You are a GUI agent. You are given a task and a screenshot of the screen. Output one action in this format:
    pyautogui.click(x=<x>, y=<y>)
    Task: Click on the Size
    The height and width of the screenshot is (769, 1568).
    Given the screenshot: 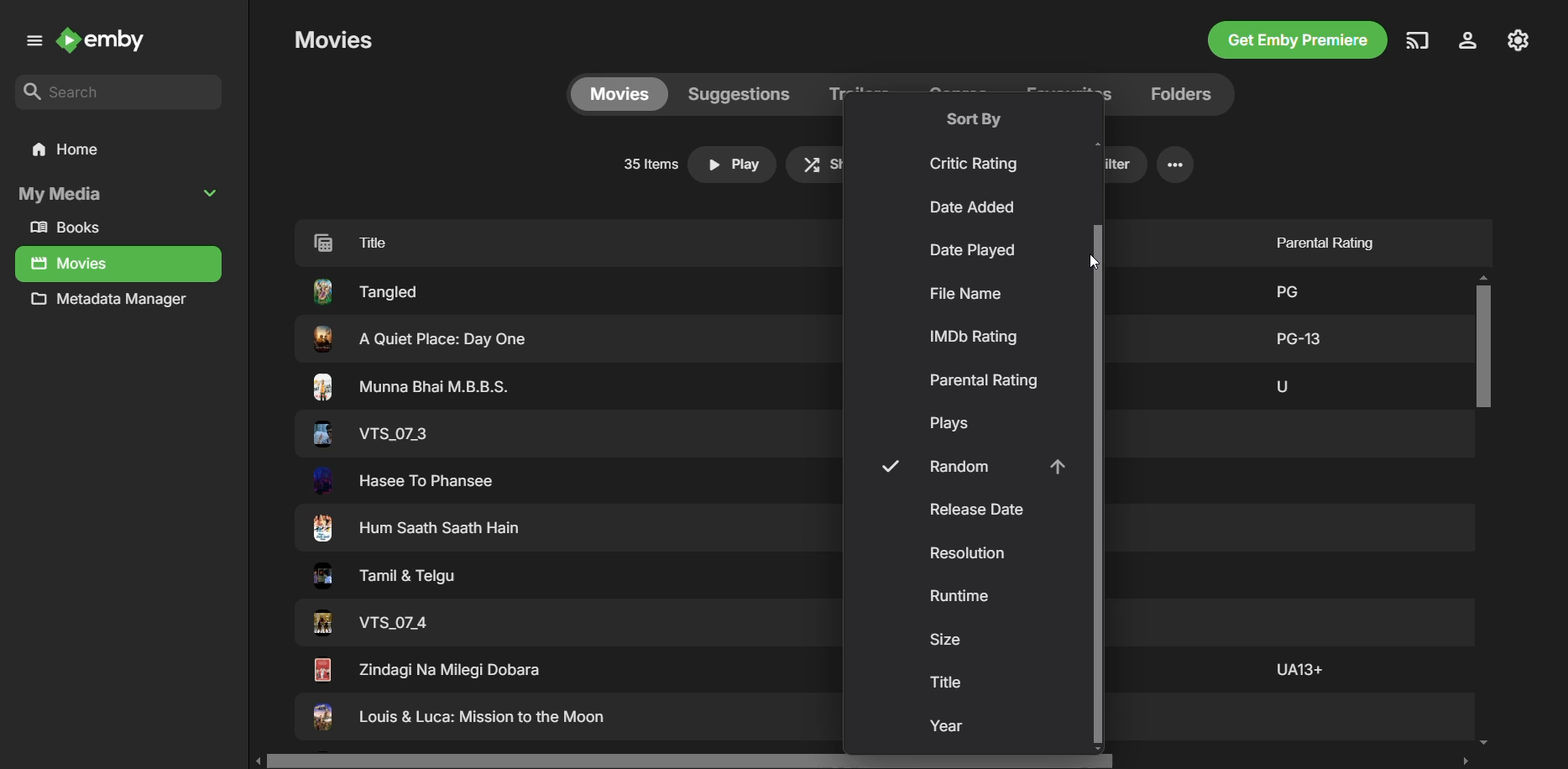 What is the action you would take?
    pyautogui.click(x=945, y=640)
    